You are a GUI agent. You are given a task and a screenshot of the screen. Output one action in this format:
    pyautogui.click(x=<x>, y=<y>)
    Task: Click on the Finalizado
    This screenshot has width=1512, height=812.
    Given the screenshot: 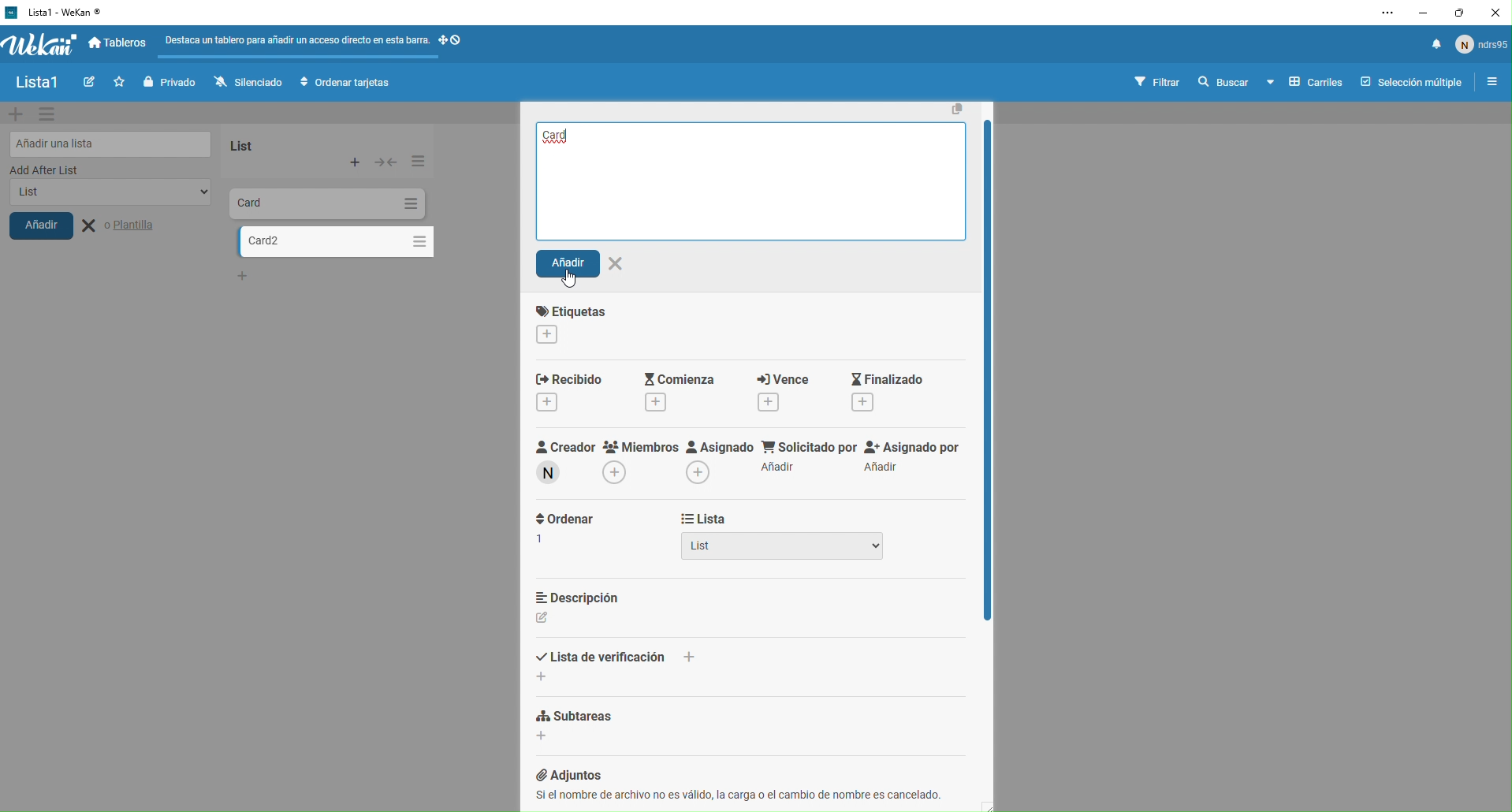 What is the action you would take?
    pyautogui.click(x=902, y=389)
    